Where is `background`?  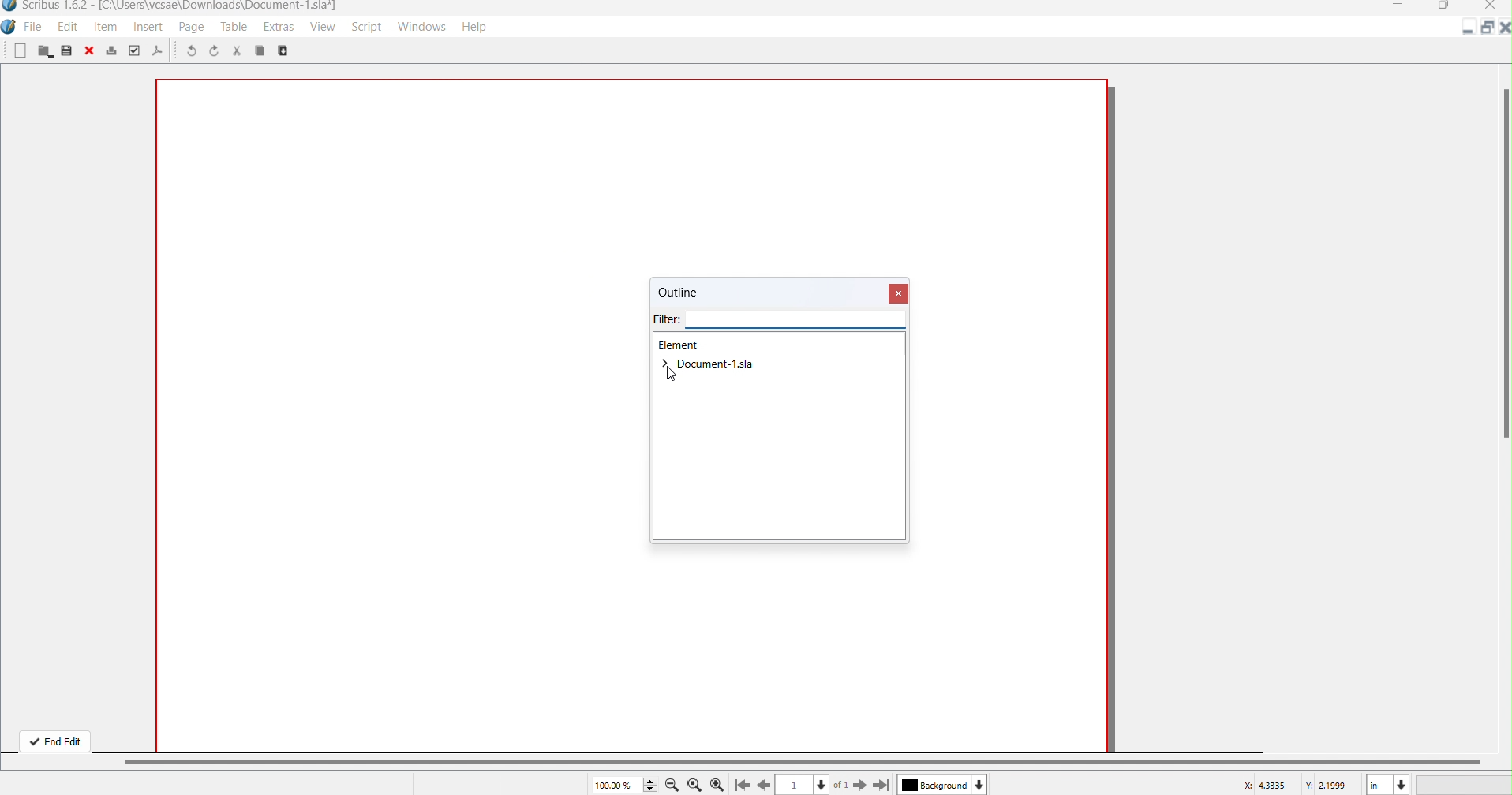 background is located at coordinates (933, 786).